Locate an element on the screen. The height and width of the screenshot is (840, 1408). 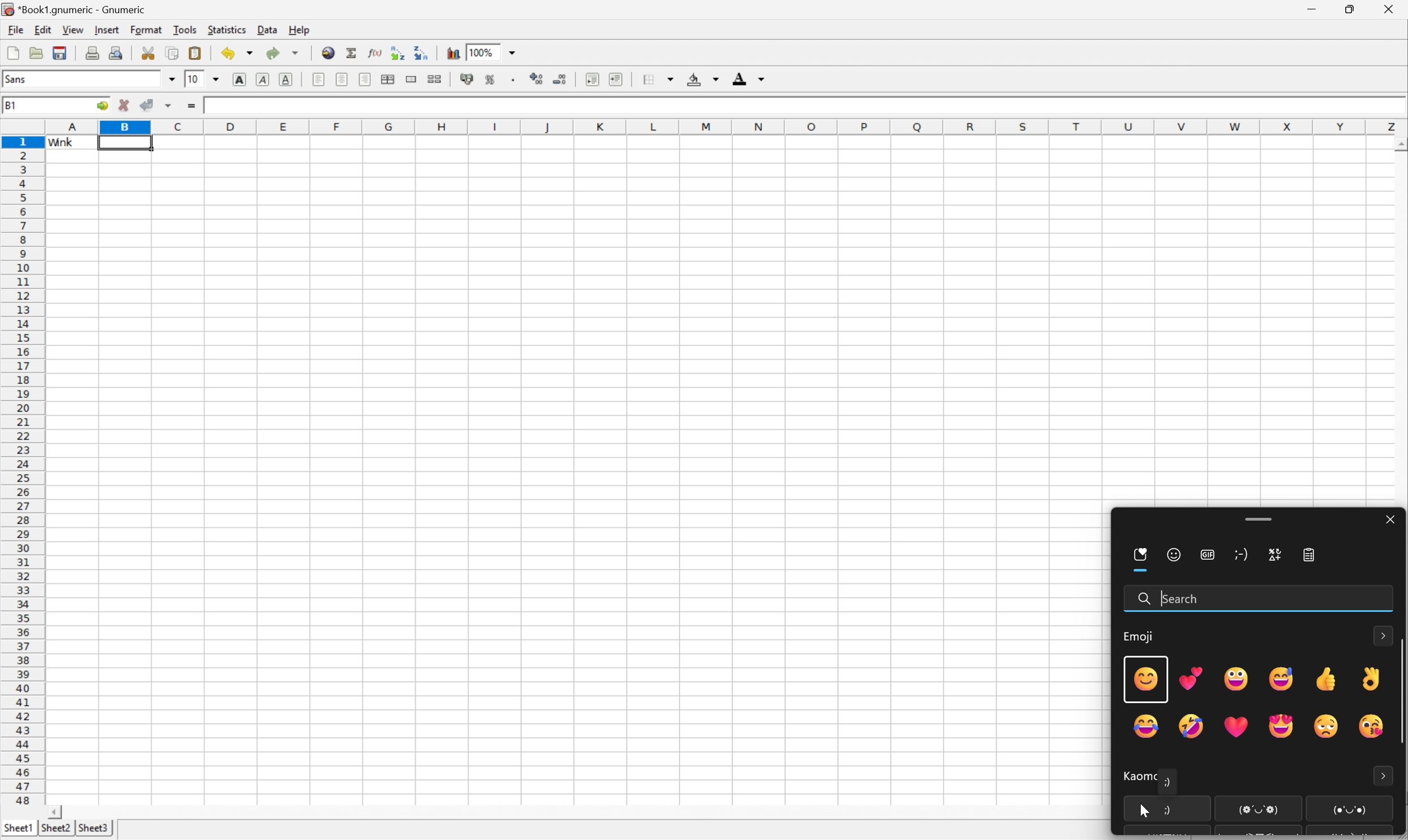
split merged ranges of cells is located at coordinates (436, 79).